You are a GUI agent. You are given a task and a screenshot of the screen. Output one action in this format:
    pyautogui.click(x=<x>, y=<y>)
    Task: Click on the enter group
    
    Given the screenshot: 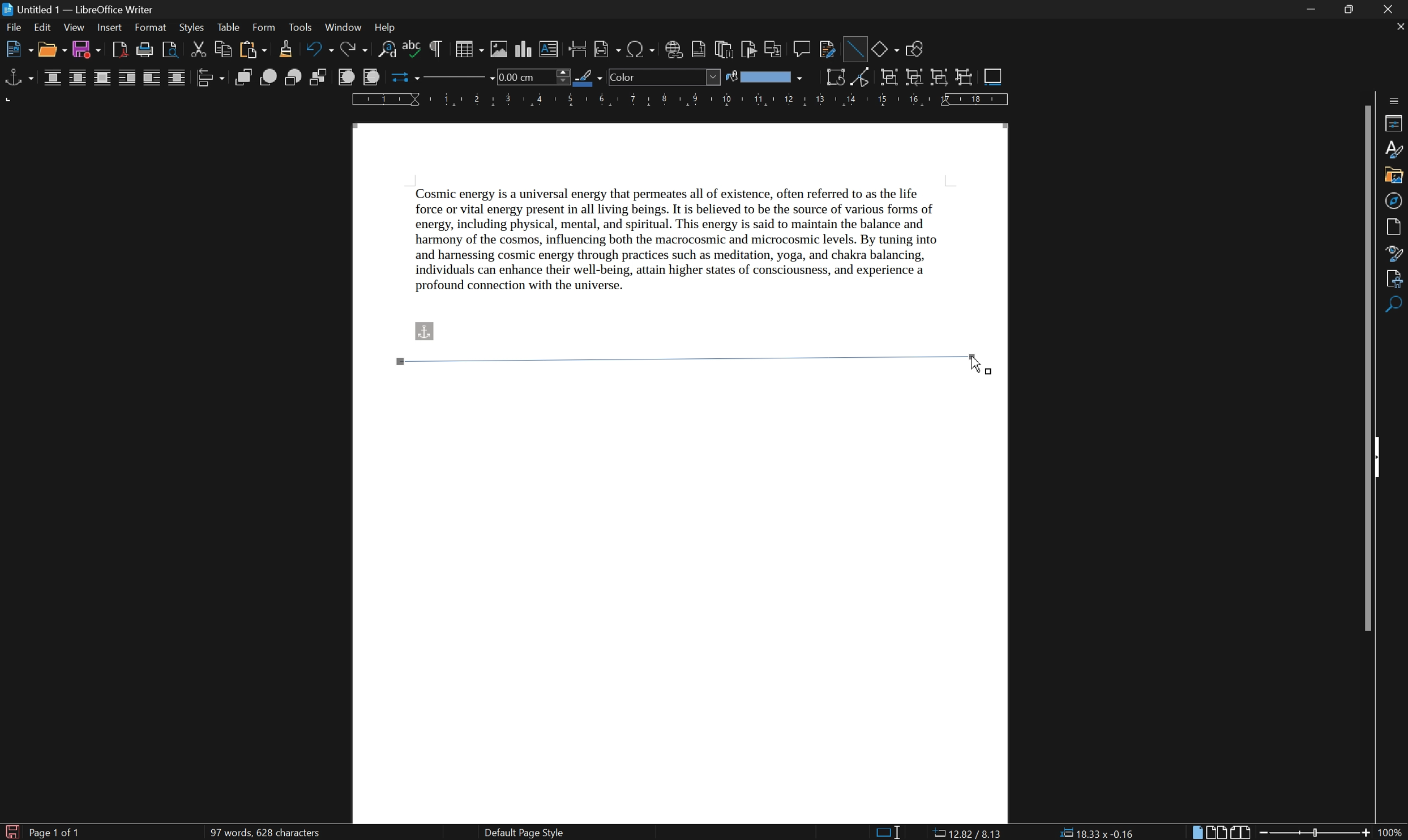 What is the action you would take?
    pyautogui.click(x=914, y=78)
    